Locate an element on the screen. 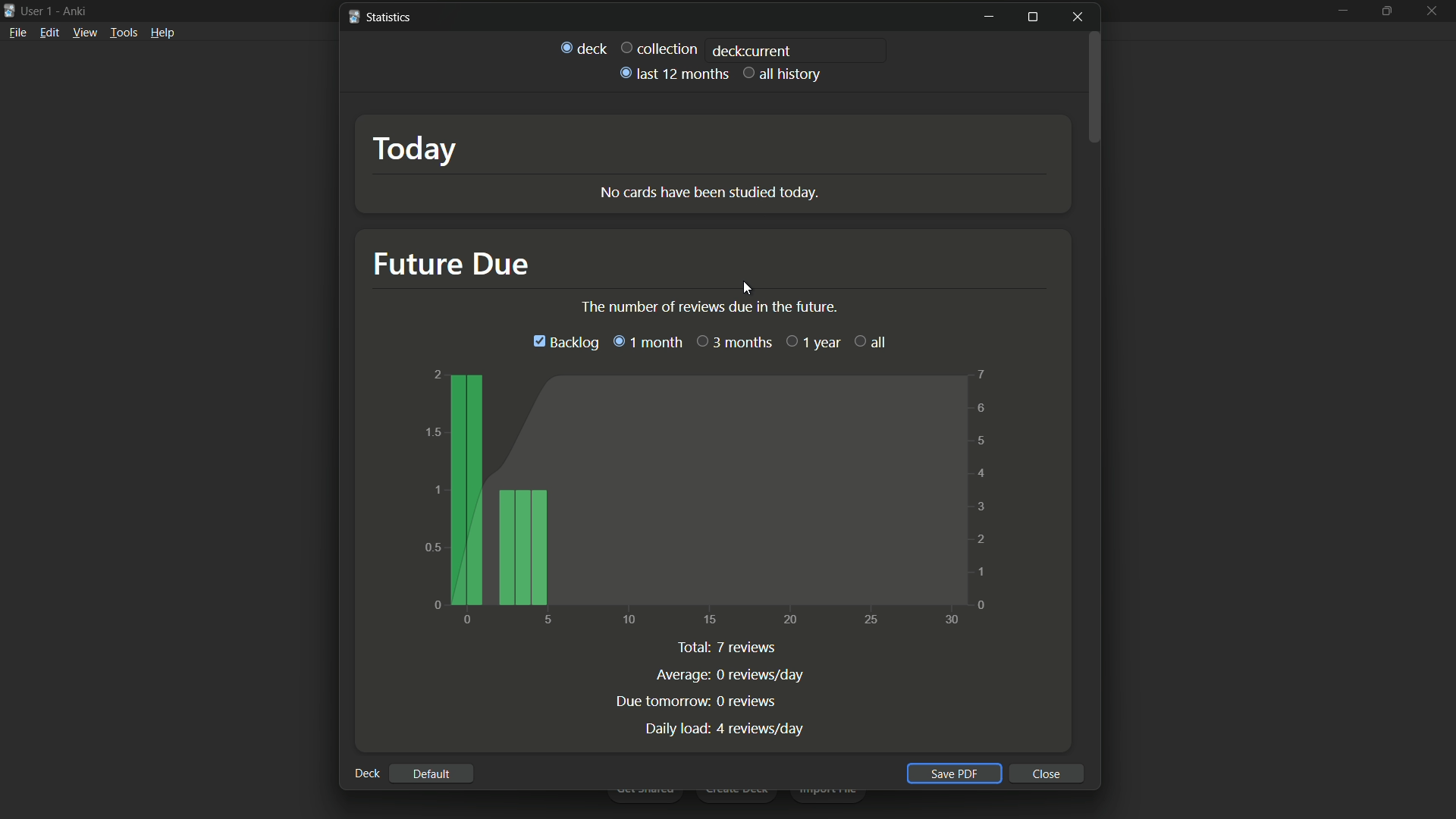 The width and height of the screenshot is (1456, 819). backlog is located at coordinates (564, 342).